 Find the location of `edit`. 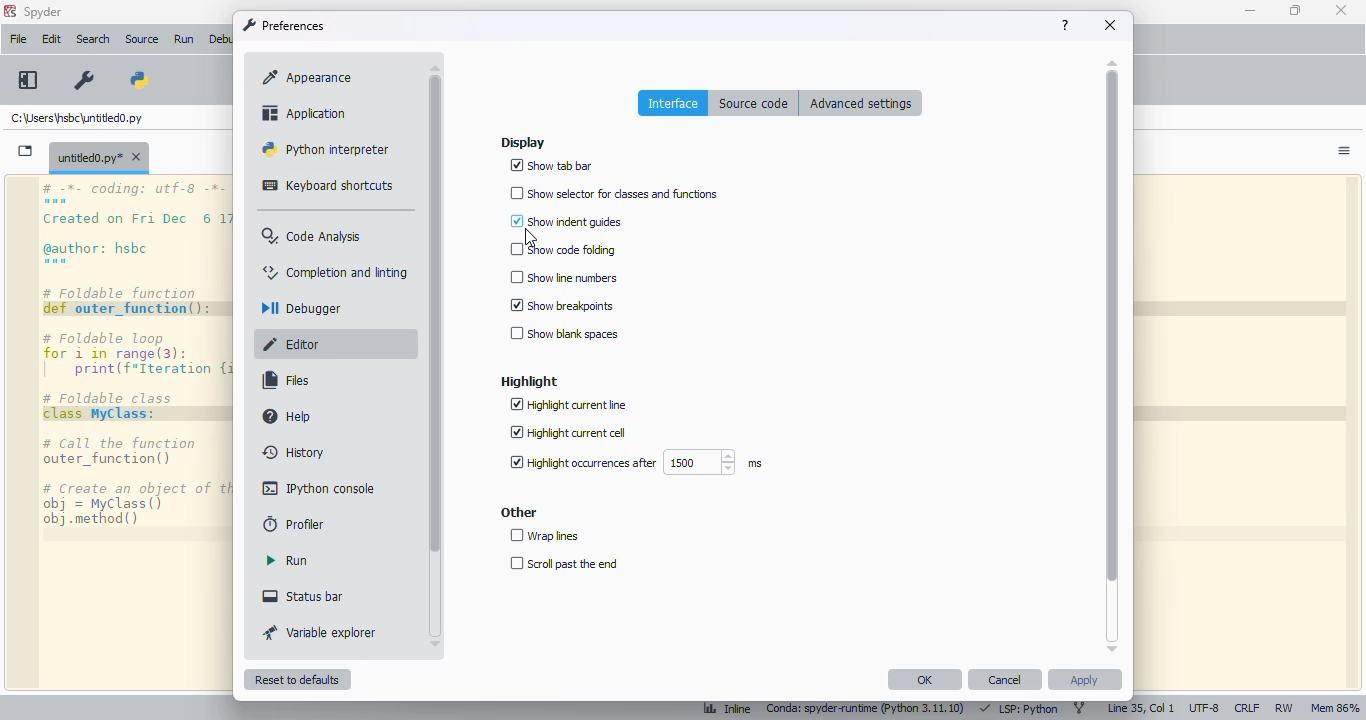

edit is located at coordinates (52, 39).